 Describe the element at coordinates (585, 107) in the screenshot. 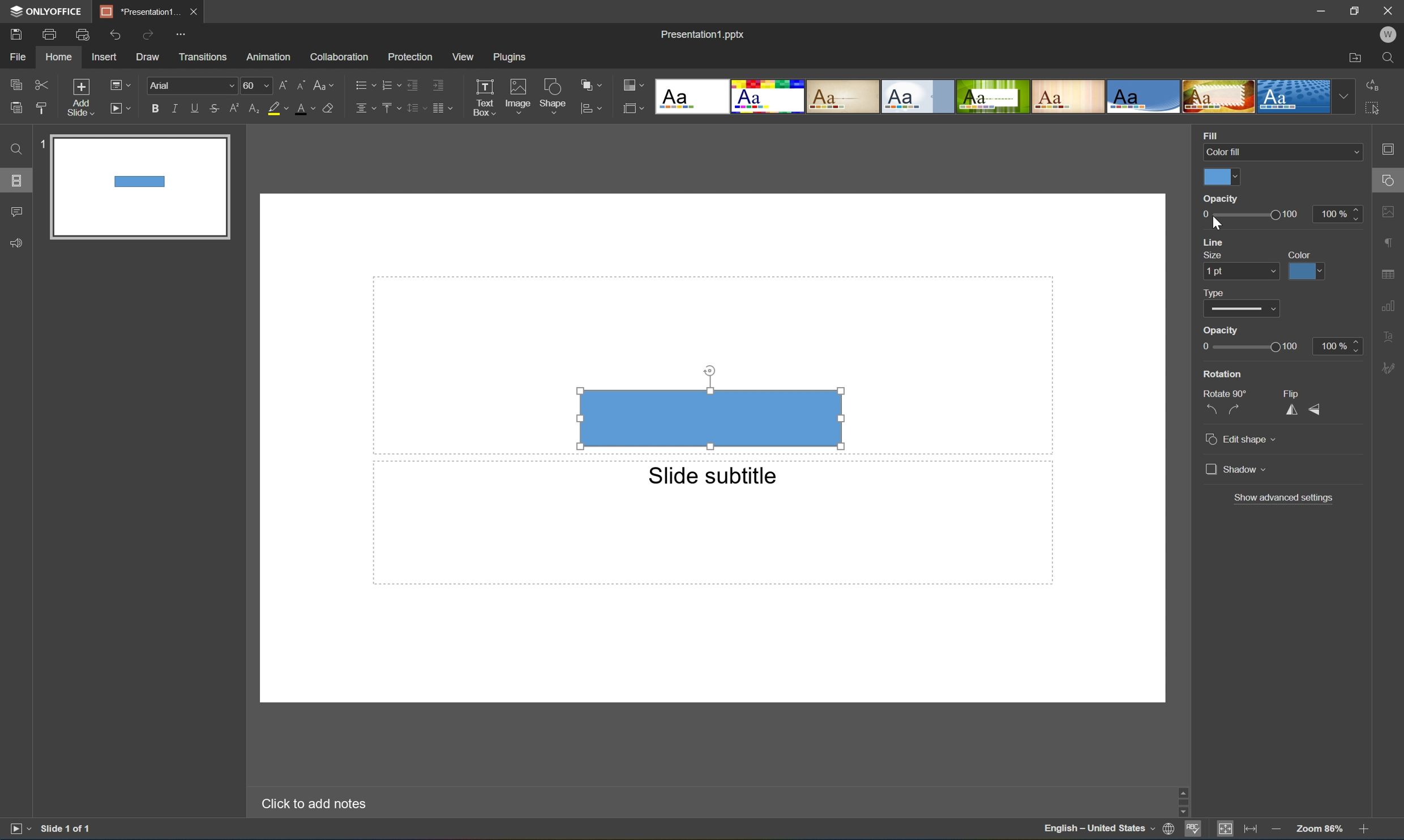

I see `icon` at that location.